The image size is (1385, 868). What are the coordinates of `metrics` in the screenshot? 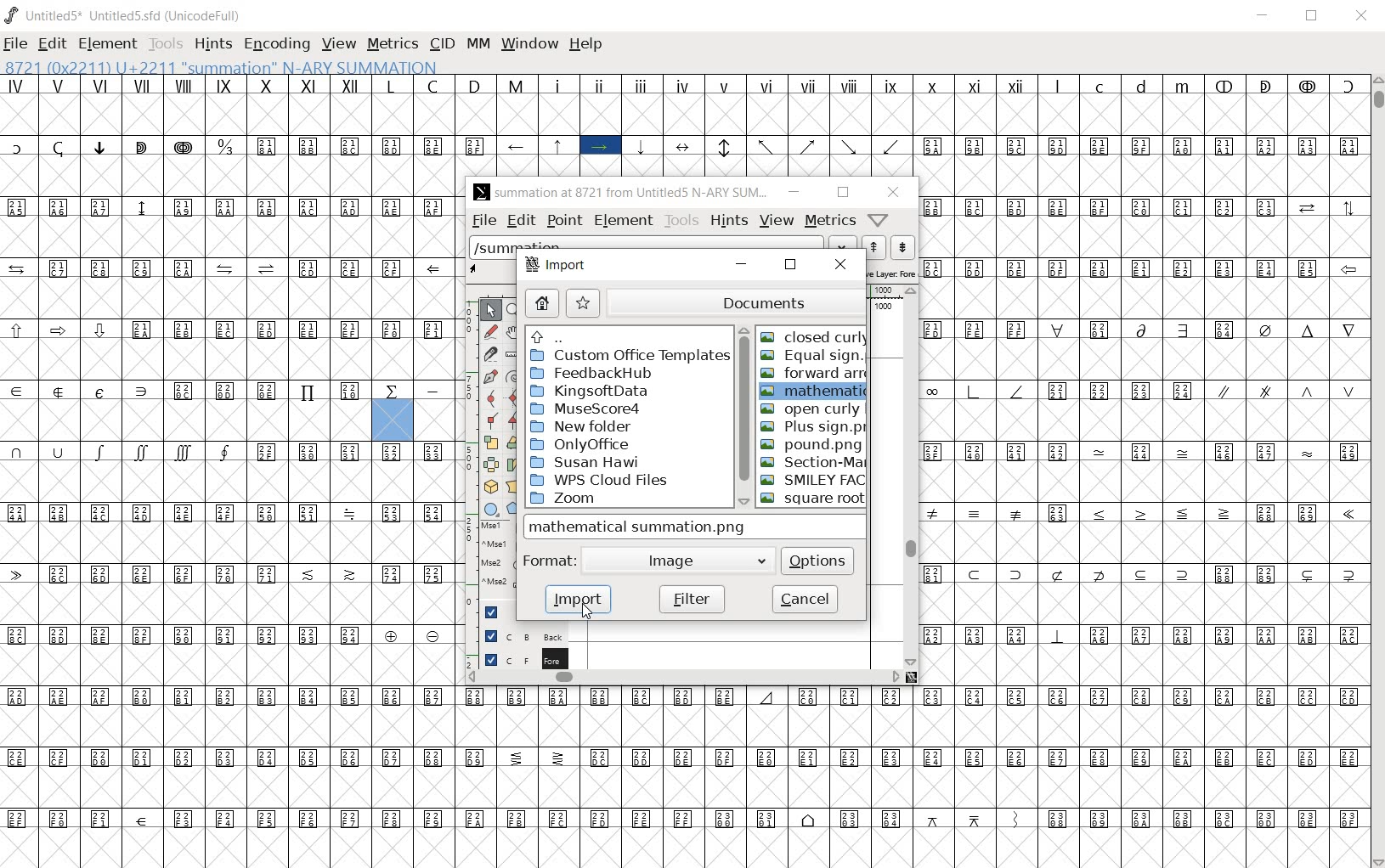 It's located at (828, 221).